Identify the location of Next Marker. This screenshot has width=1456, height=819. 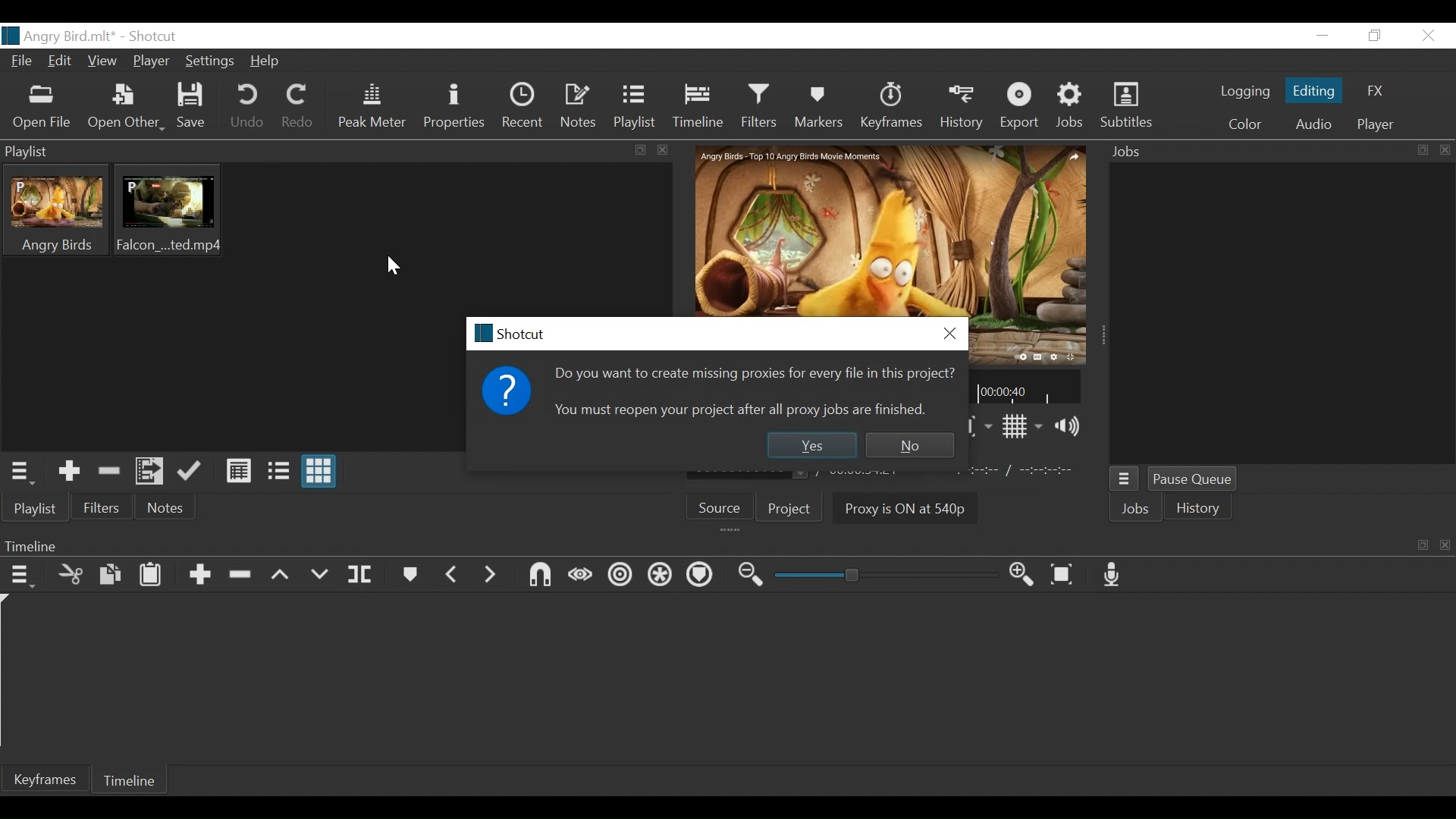
(493, 576).